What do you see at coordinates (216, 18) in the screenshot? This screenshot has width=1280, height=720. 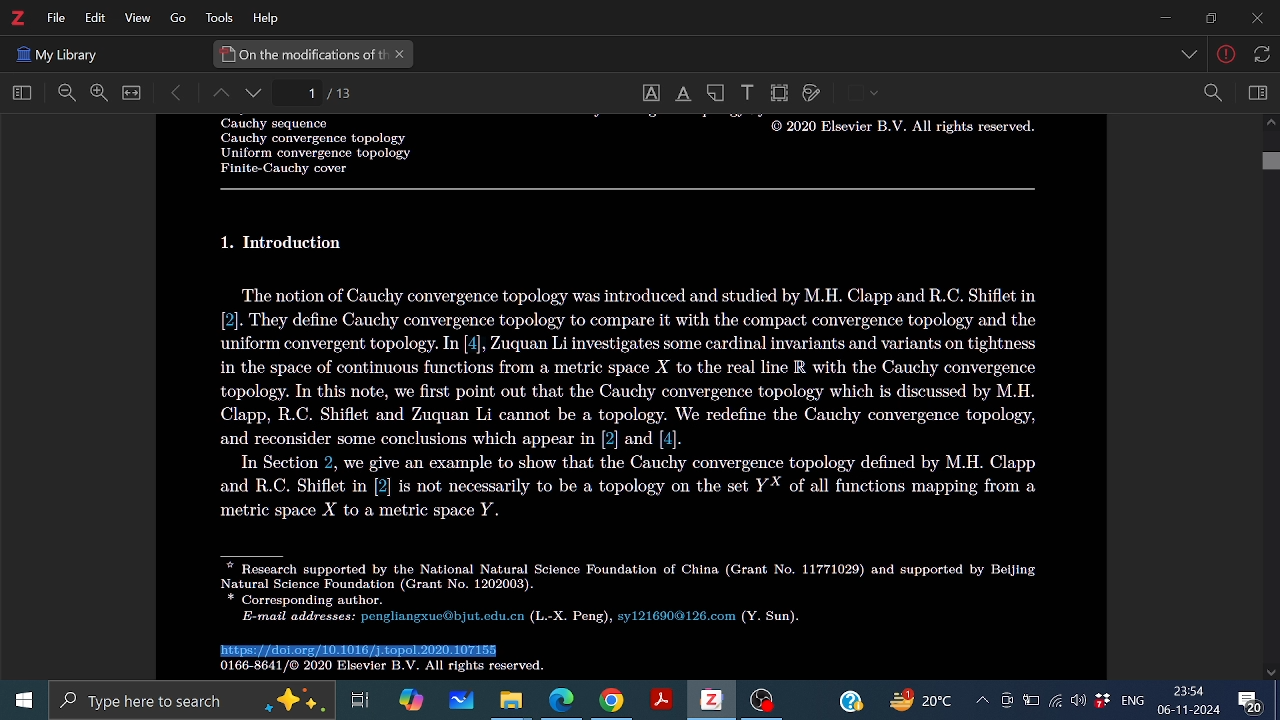 I see `Tools` at bounding box center [216, 18].